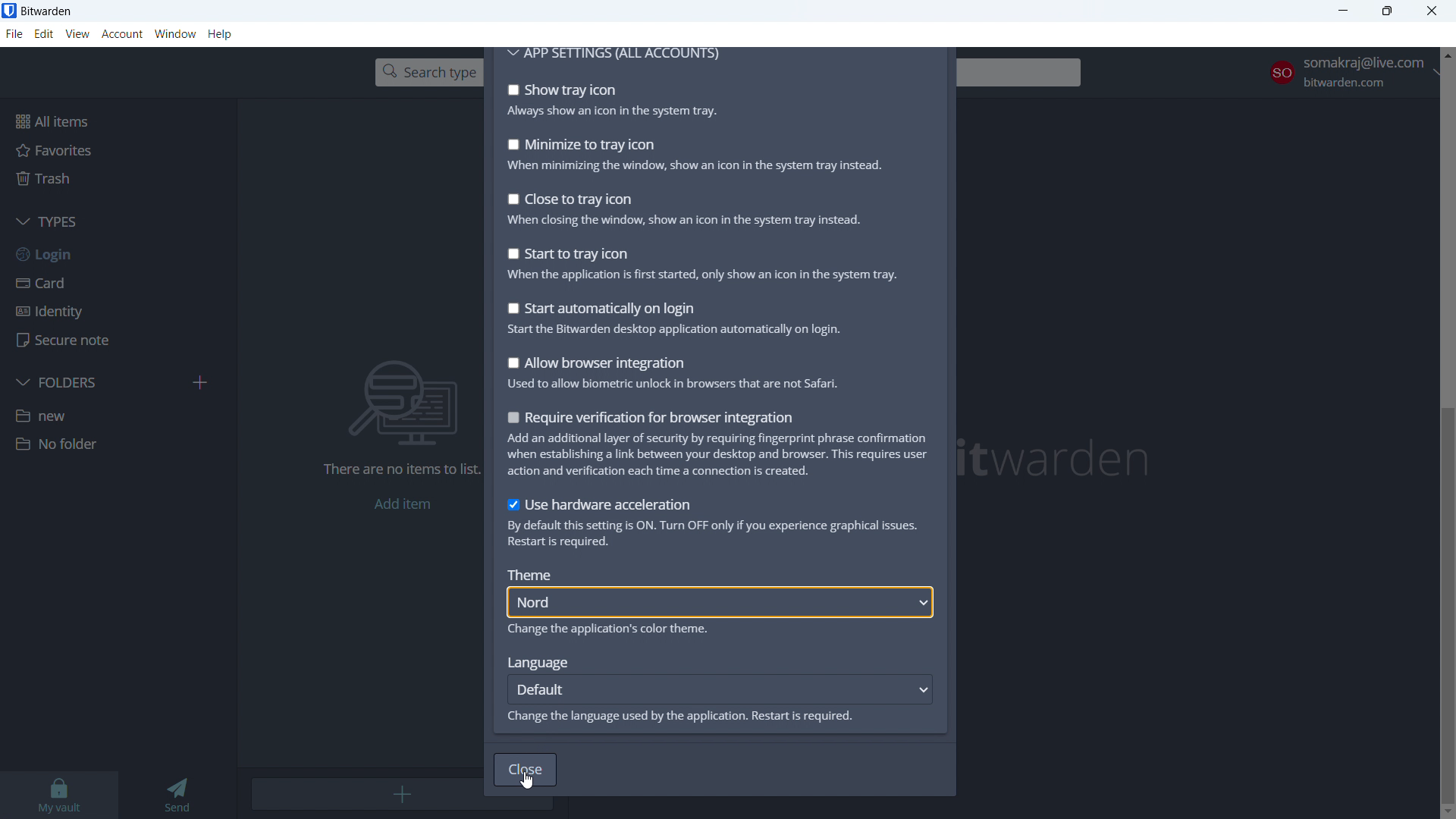 This screenshot has height=819, width=1456. I want to click on file, so click(14, 34).